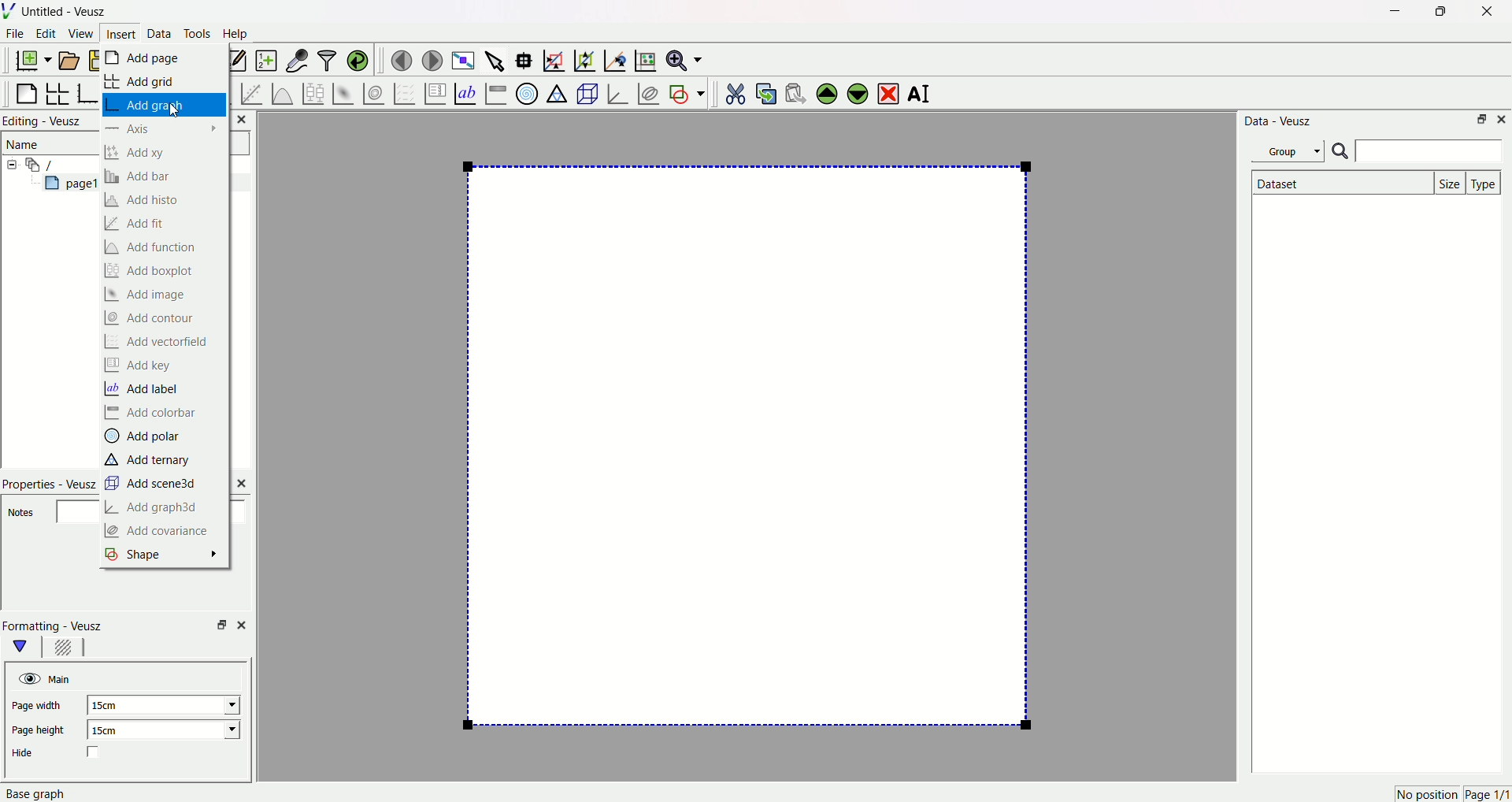  What do you see at coordinates (295, 59) in the screenshot?
I see `capture remote datasets` at bounding box center [295, 59].